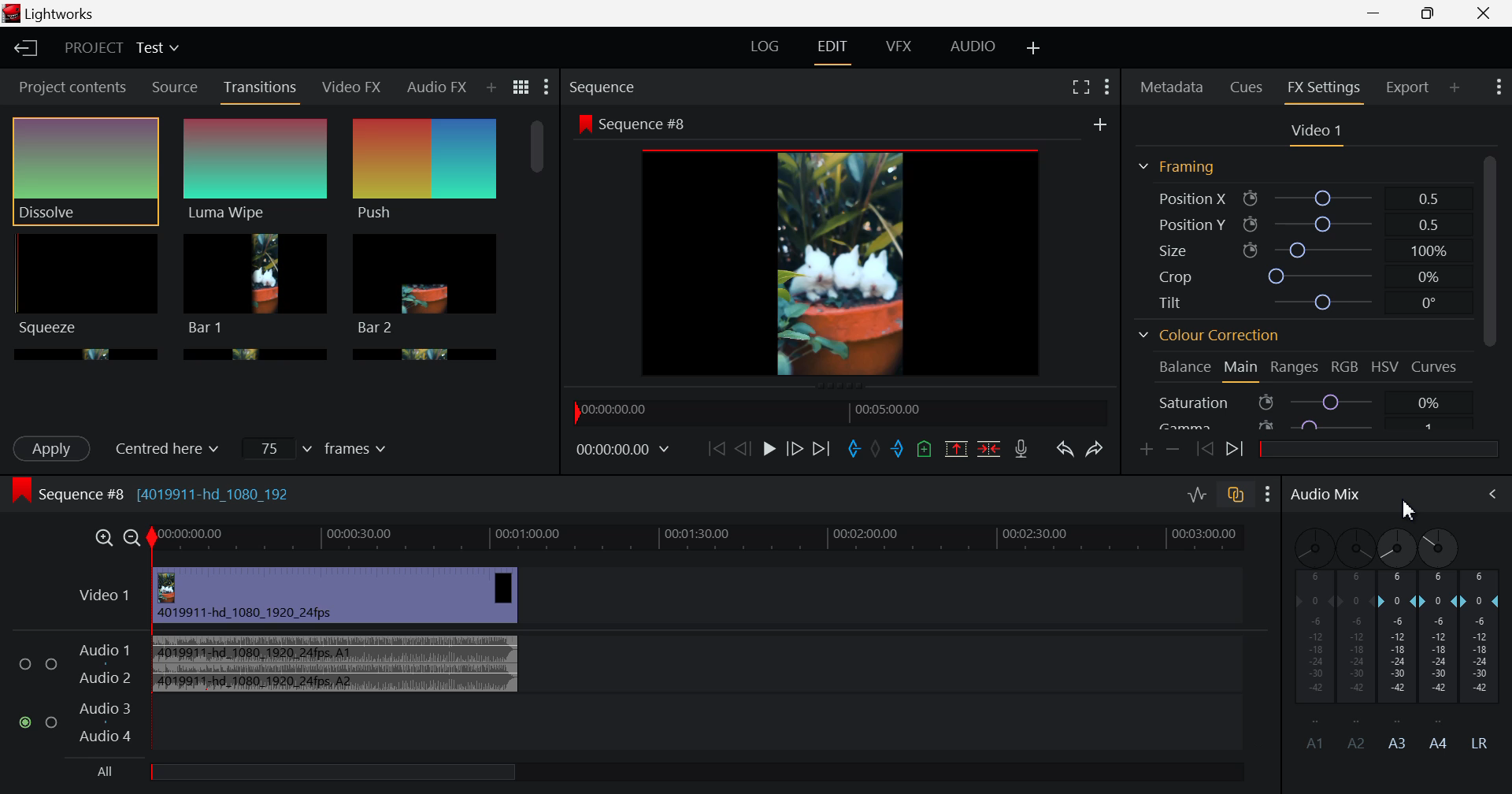 The image size is (1512, 794). What do you see at coordinates (1172, 449) in the screenshot?
I see `Remove keyframe` at bounding box center [1172, 449].